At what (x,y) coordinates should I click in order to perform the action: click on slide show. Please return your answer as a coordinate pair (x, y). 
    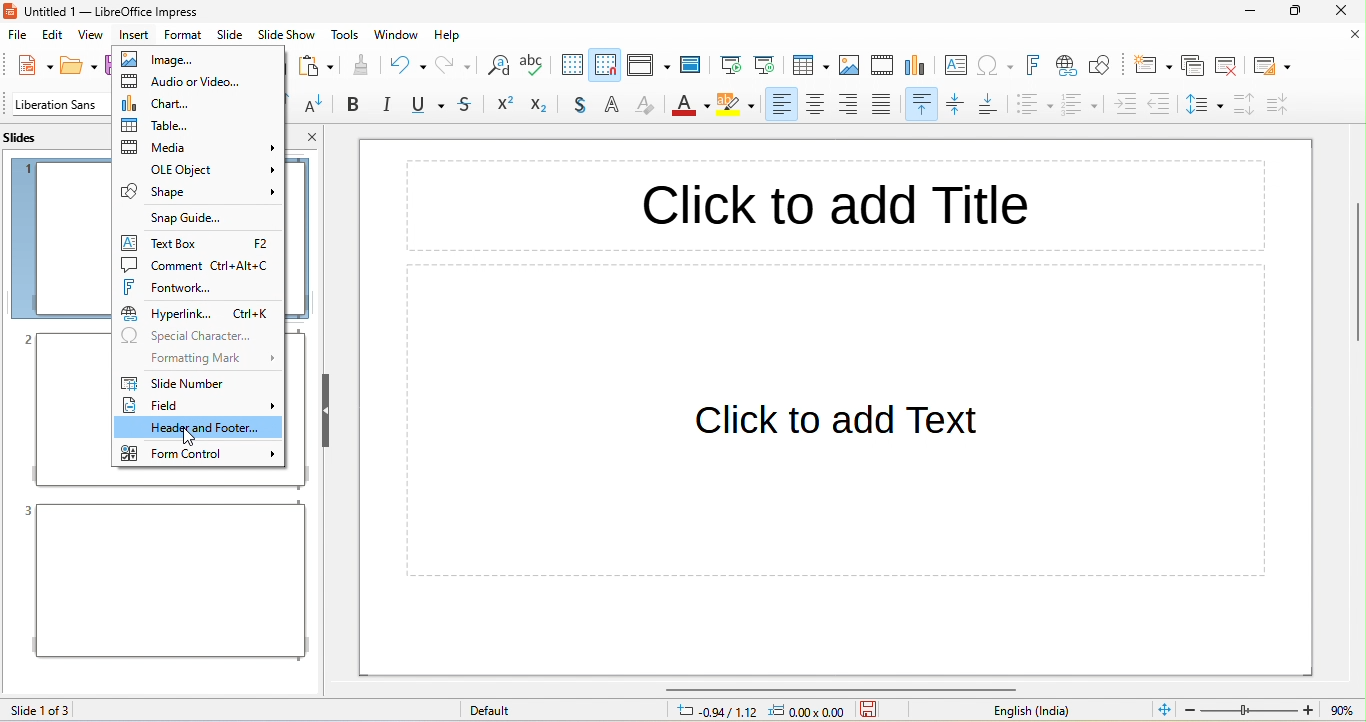
    Looking at the image, I should click on (287, 35).